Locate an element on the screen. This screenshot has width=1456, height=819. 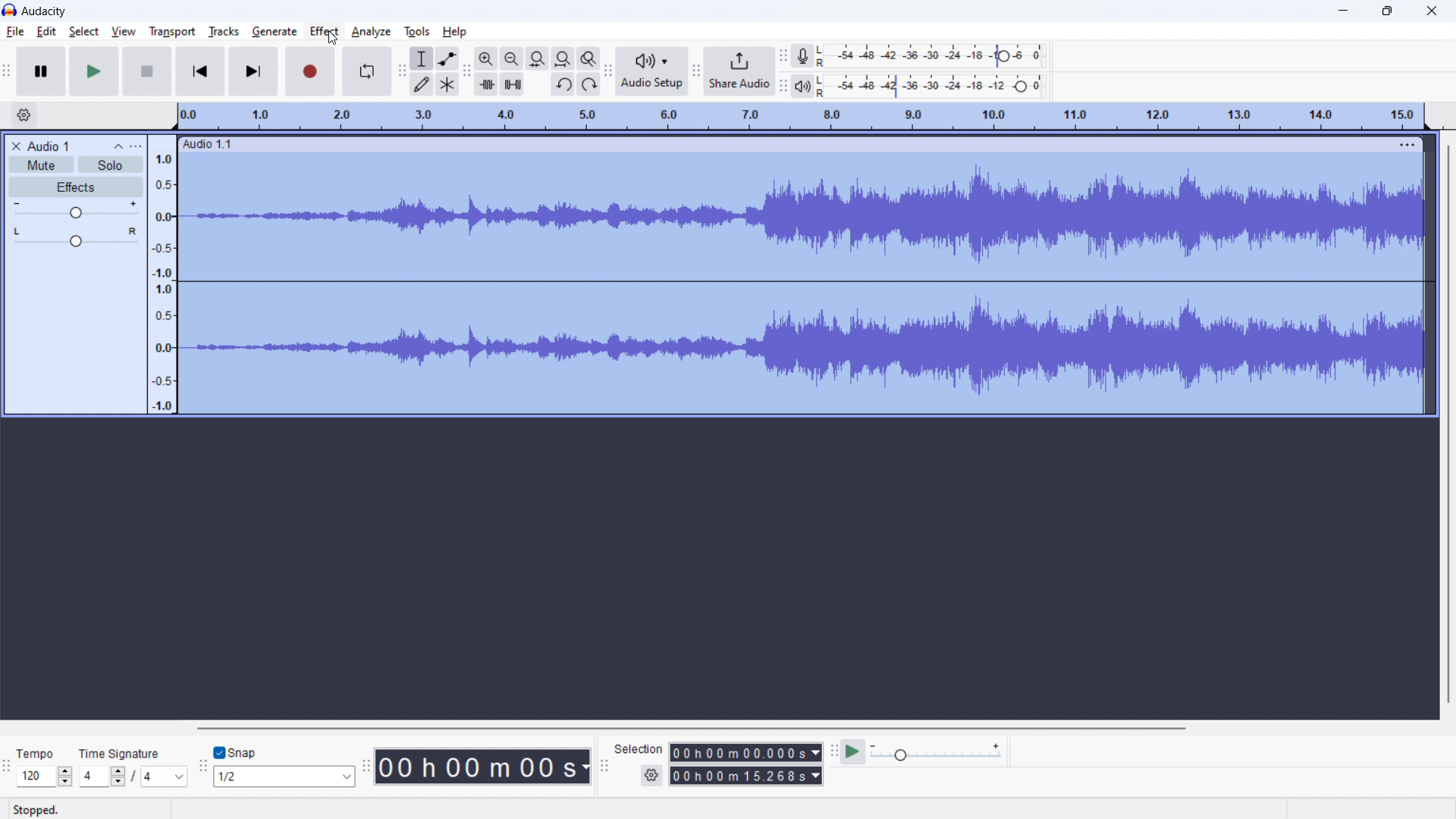
draw tool is located at coordinates (422, 85).